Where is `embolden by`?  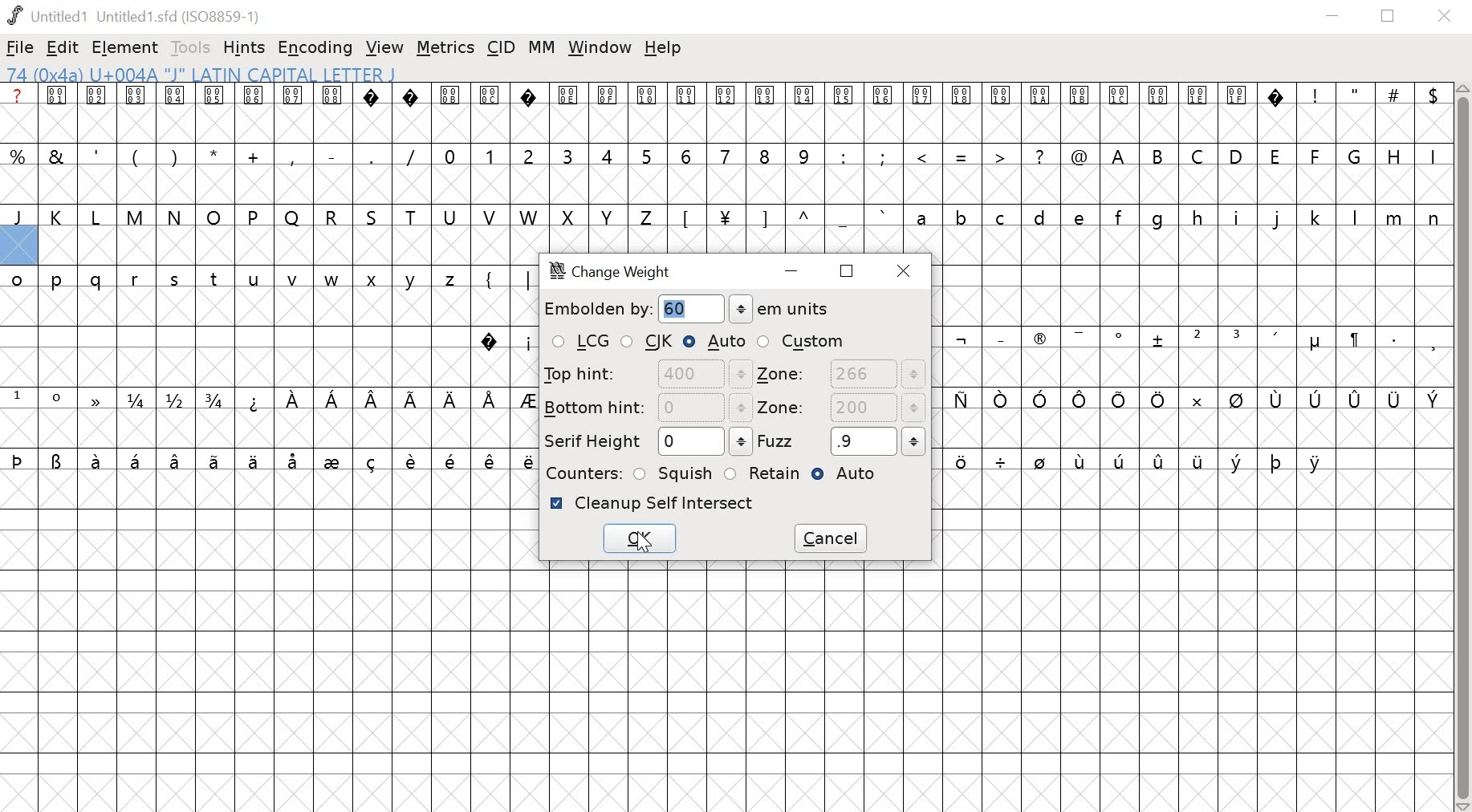
embolden by is located at coordinates (596, 309).